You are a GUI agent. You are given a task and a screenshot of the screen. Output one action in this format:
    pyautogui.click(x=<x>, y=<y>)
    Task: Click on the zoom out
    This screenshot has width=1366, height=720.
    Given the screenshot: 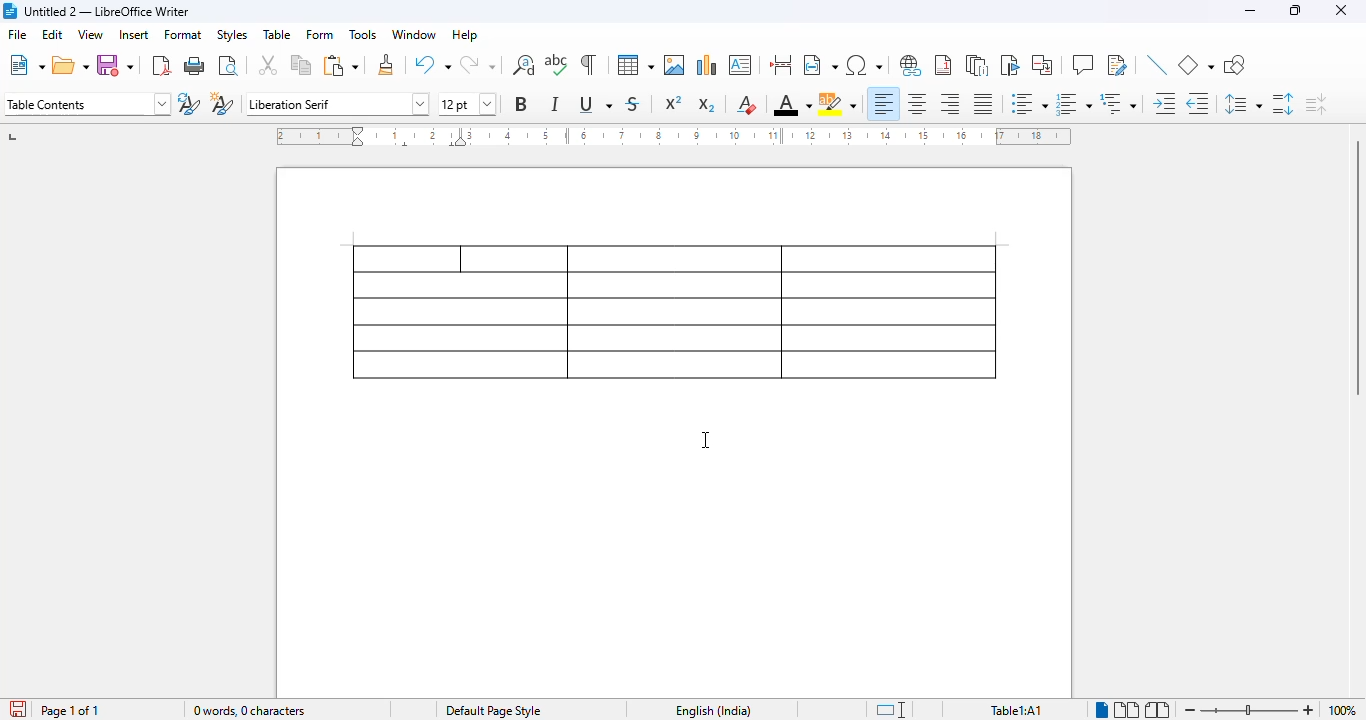 What is the action you would take?
    pyautogui.click(x=1190, y=710)
    